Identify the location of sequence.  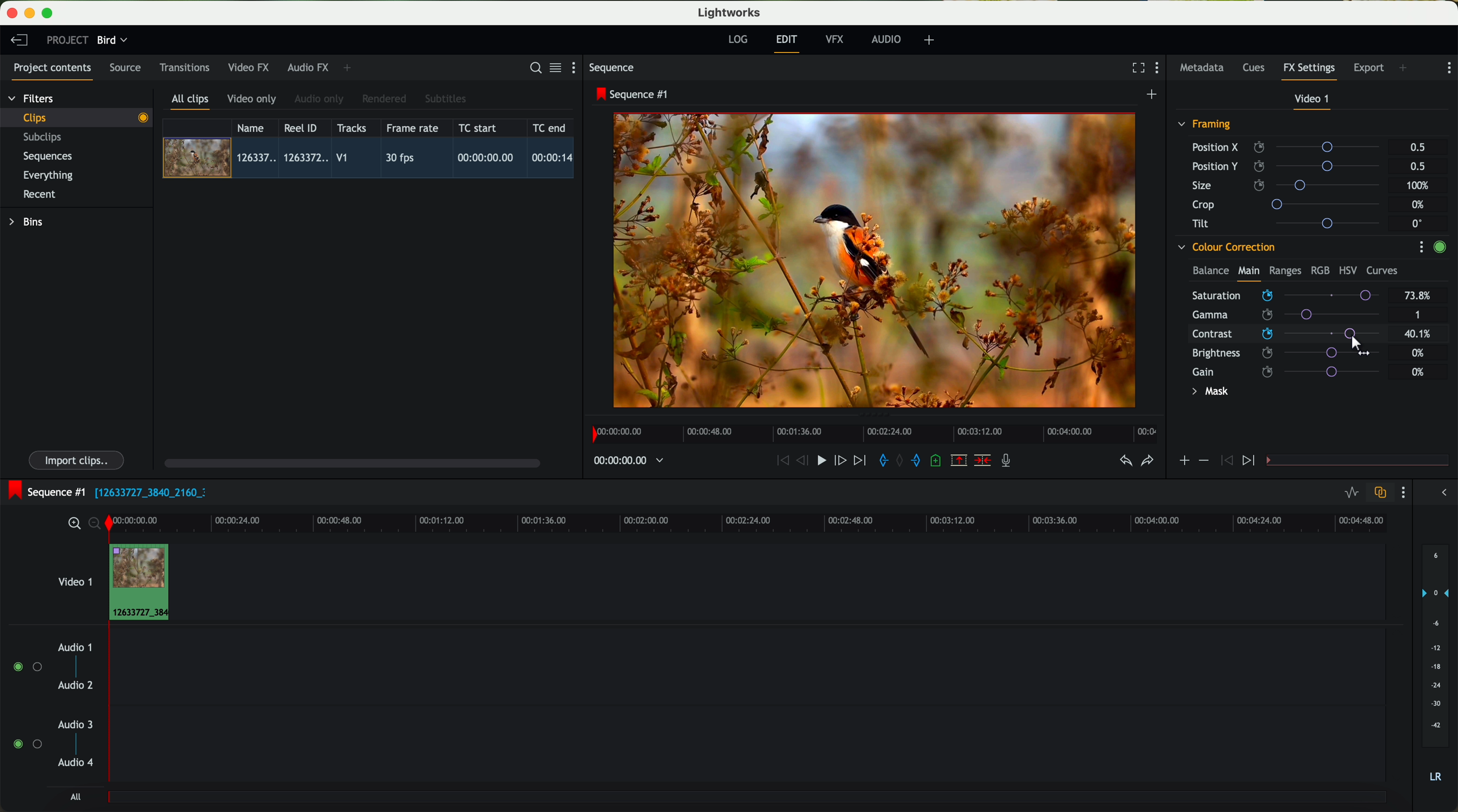
(612, 68).